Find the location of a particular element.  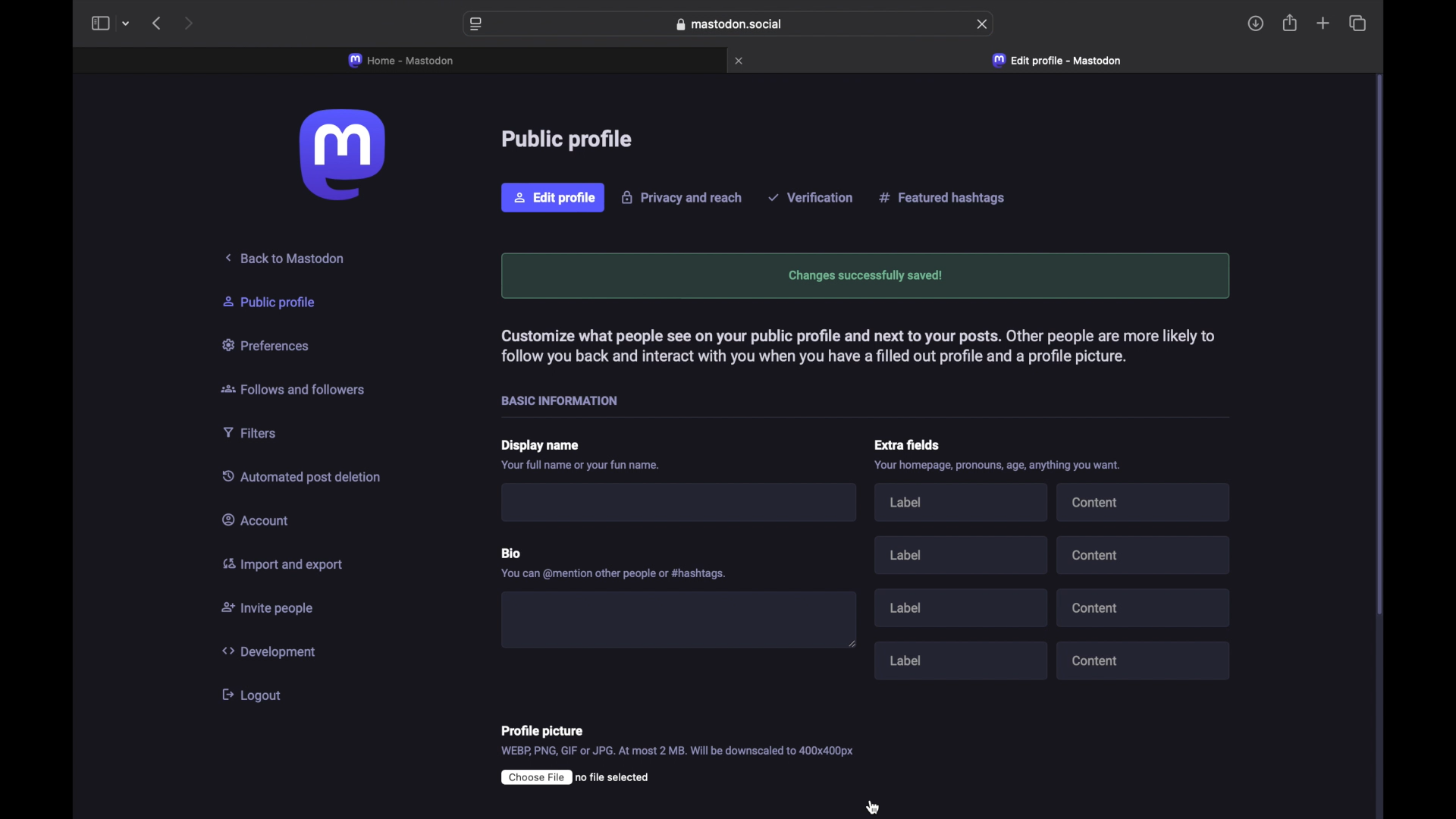

Privacy and reach is located at coordinates (678, 196).